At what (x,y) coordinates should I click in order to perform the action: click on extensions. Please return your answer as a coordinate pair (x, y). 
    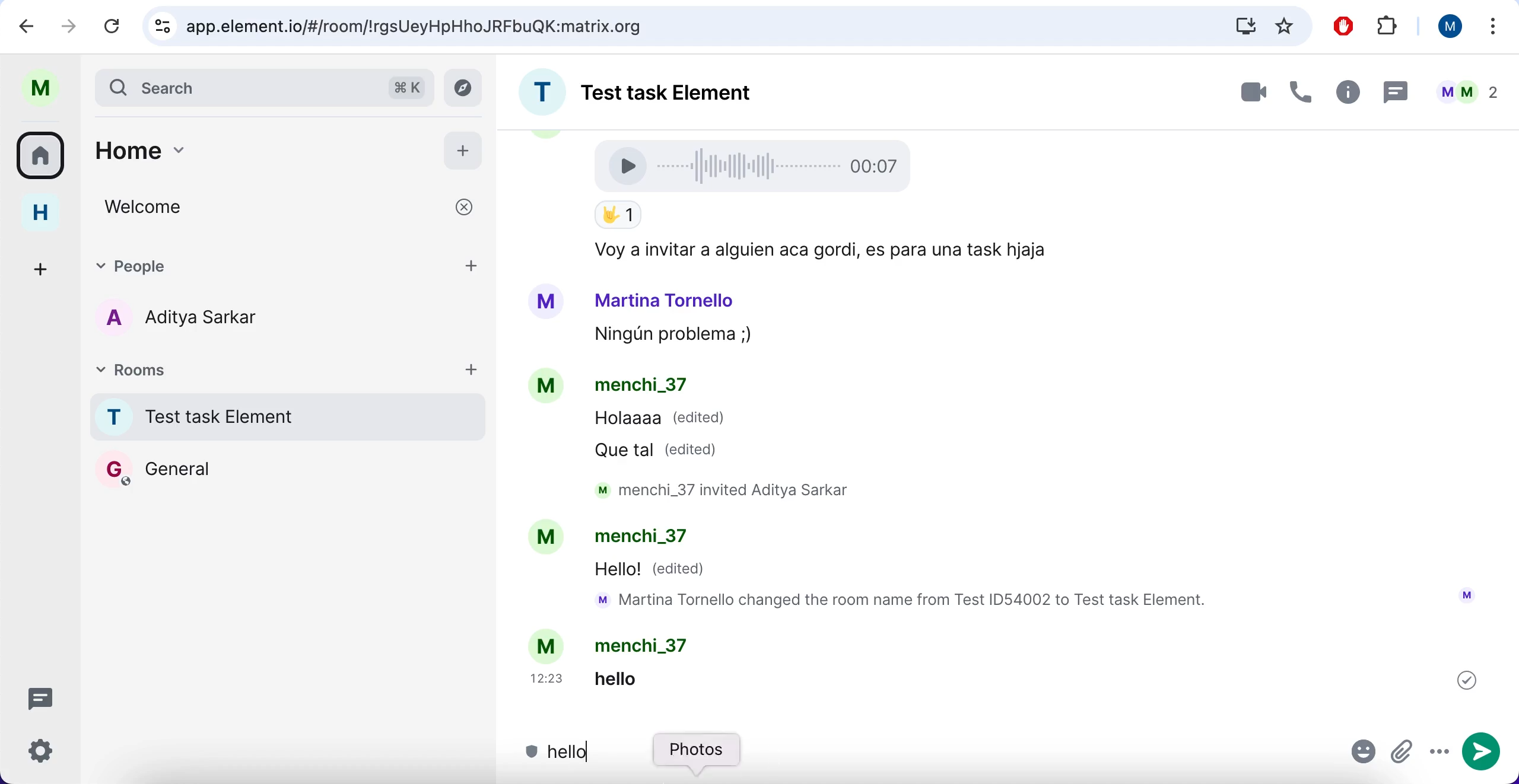
    Looking at the image, I should click on (1390, 27).